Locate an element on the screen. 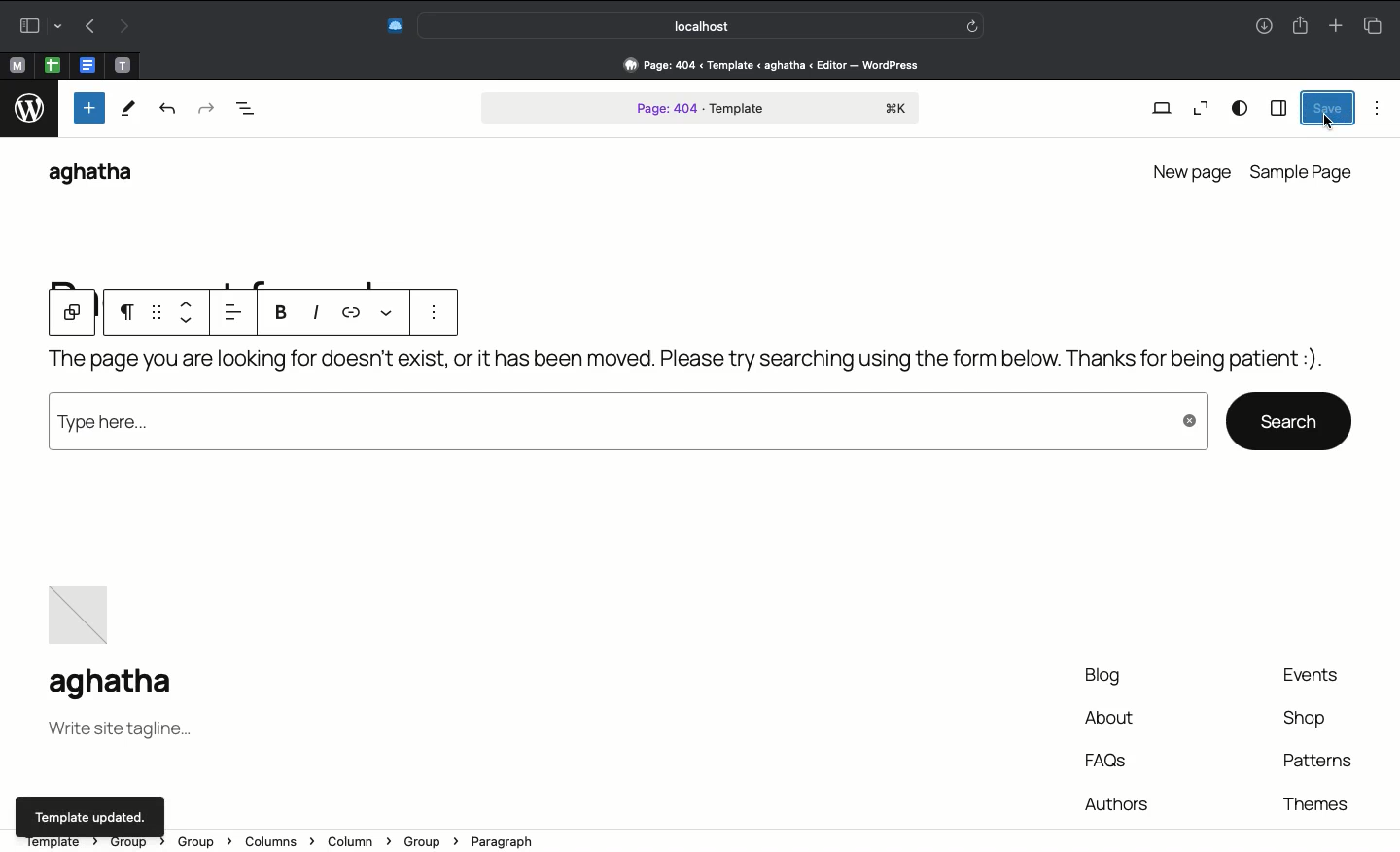 This screenshot has height=852, width=1400. About is located at coordinates (1110, 720).